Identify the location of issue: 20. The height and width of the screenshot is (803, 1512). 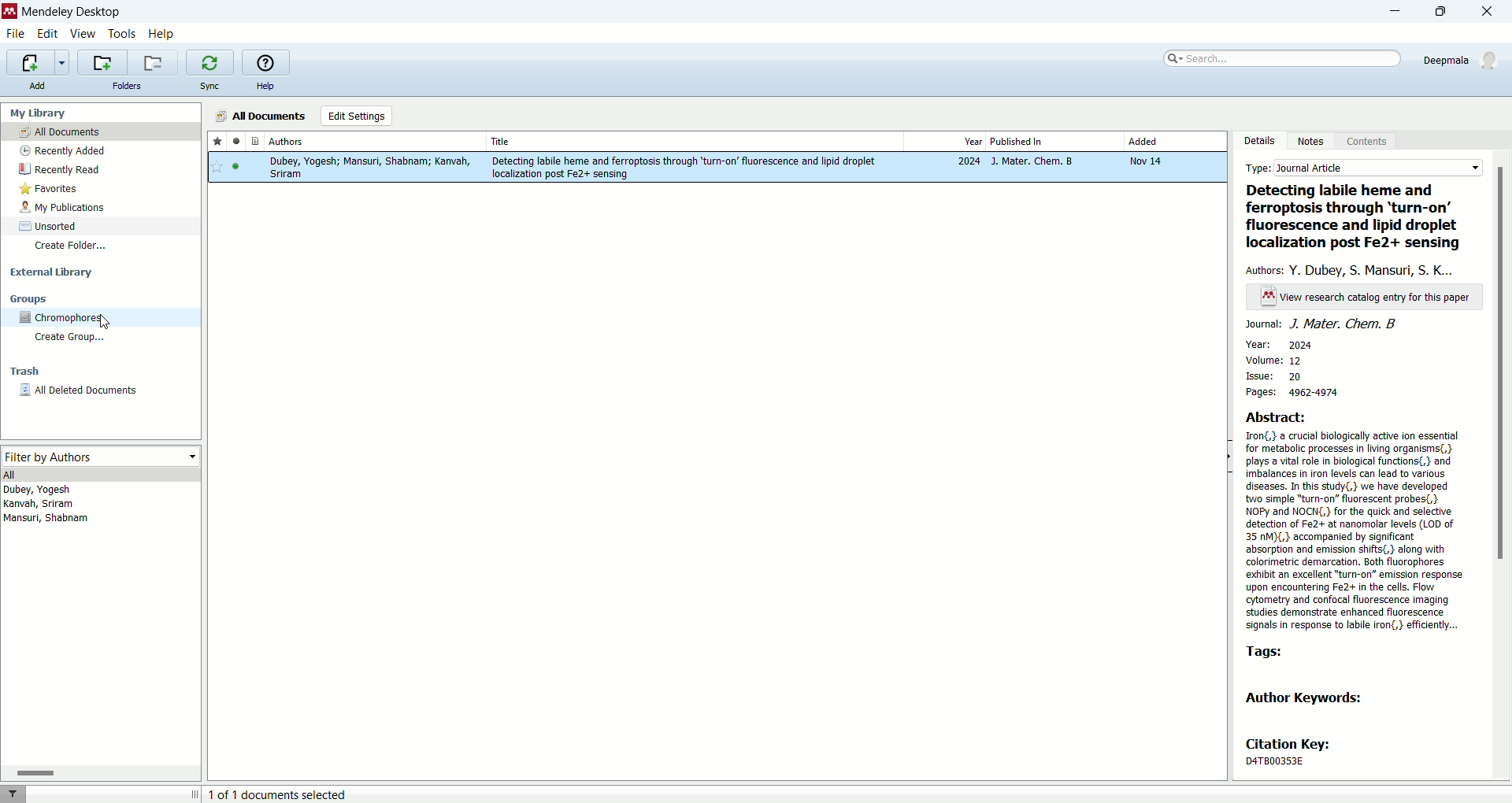
(1278, 377).